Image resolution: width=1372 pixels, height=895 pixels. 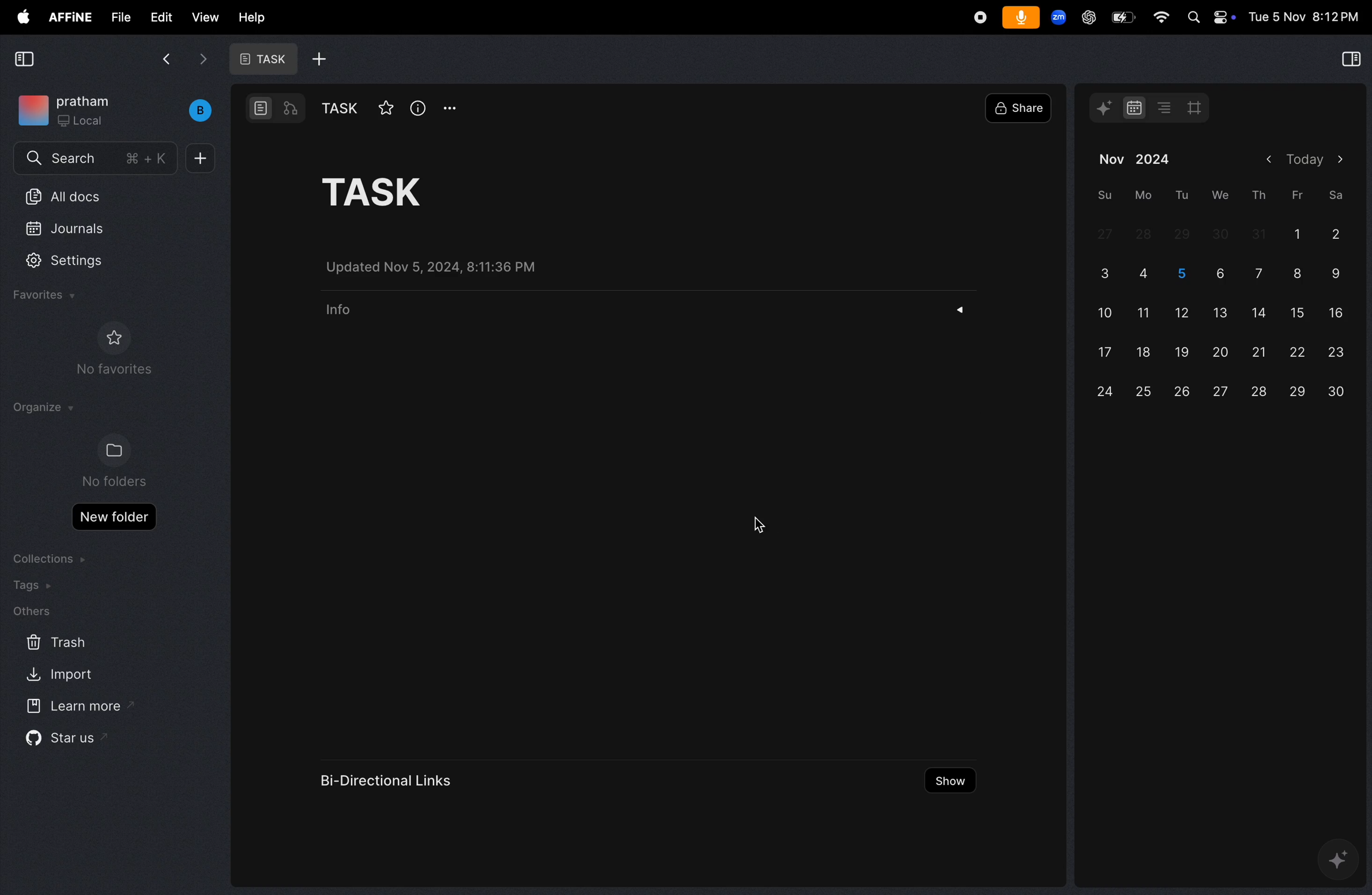 I want to click on apple widgets, so click(x=1211, y=18).